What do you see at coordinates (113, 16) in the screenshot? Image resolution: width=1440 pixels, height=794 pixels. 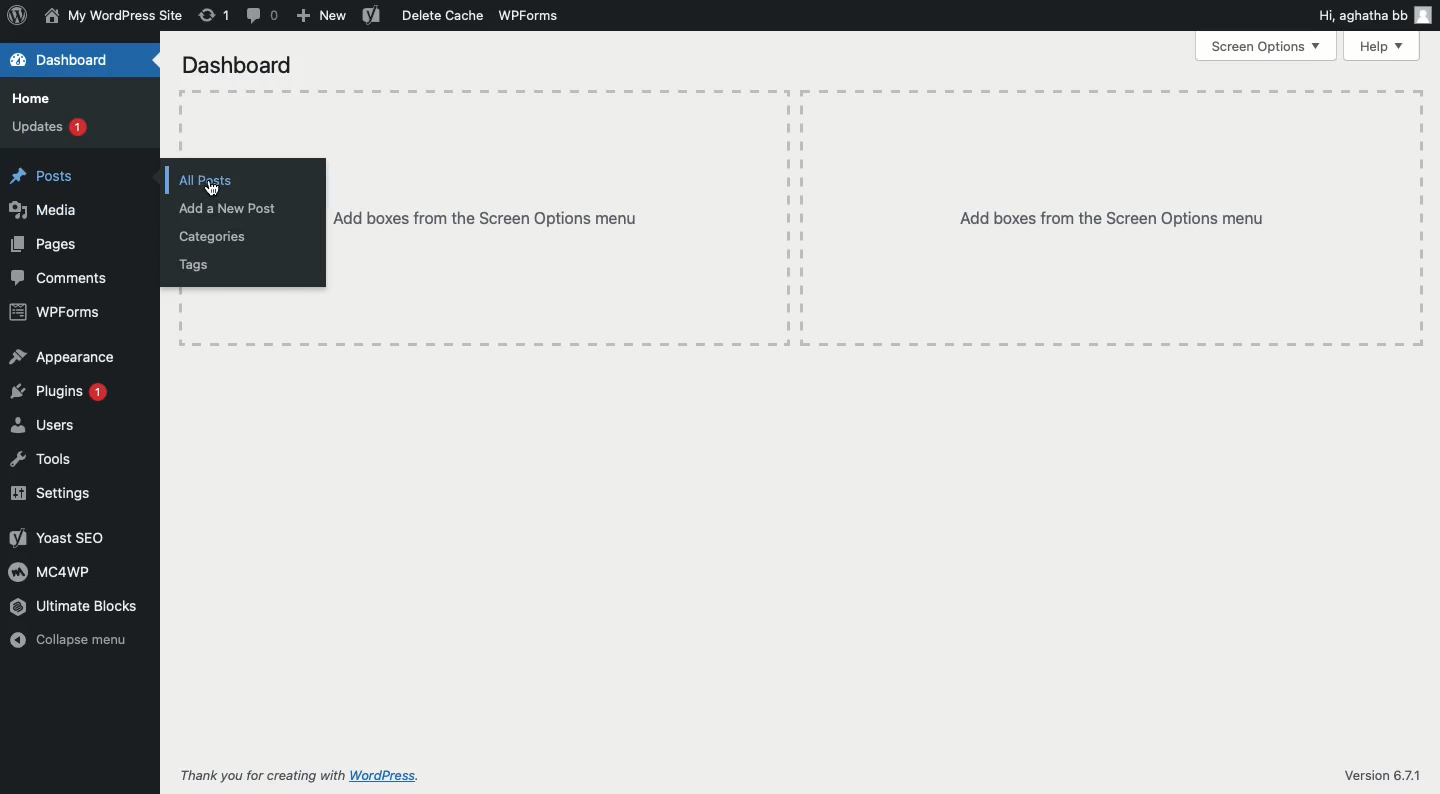 I see `My WordPress Site` at bounding box center [113, 16].